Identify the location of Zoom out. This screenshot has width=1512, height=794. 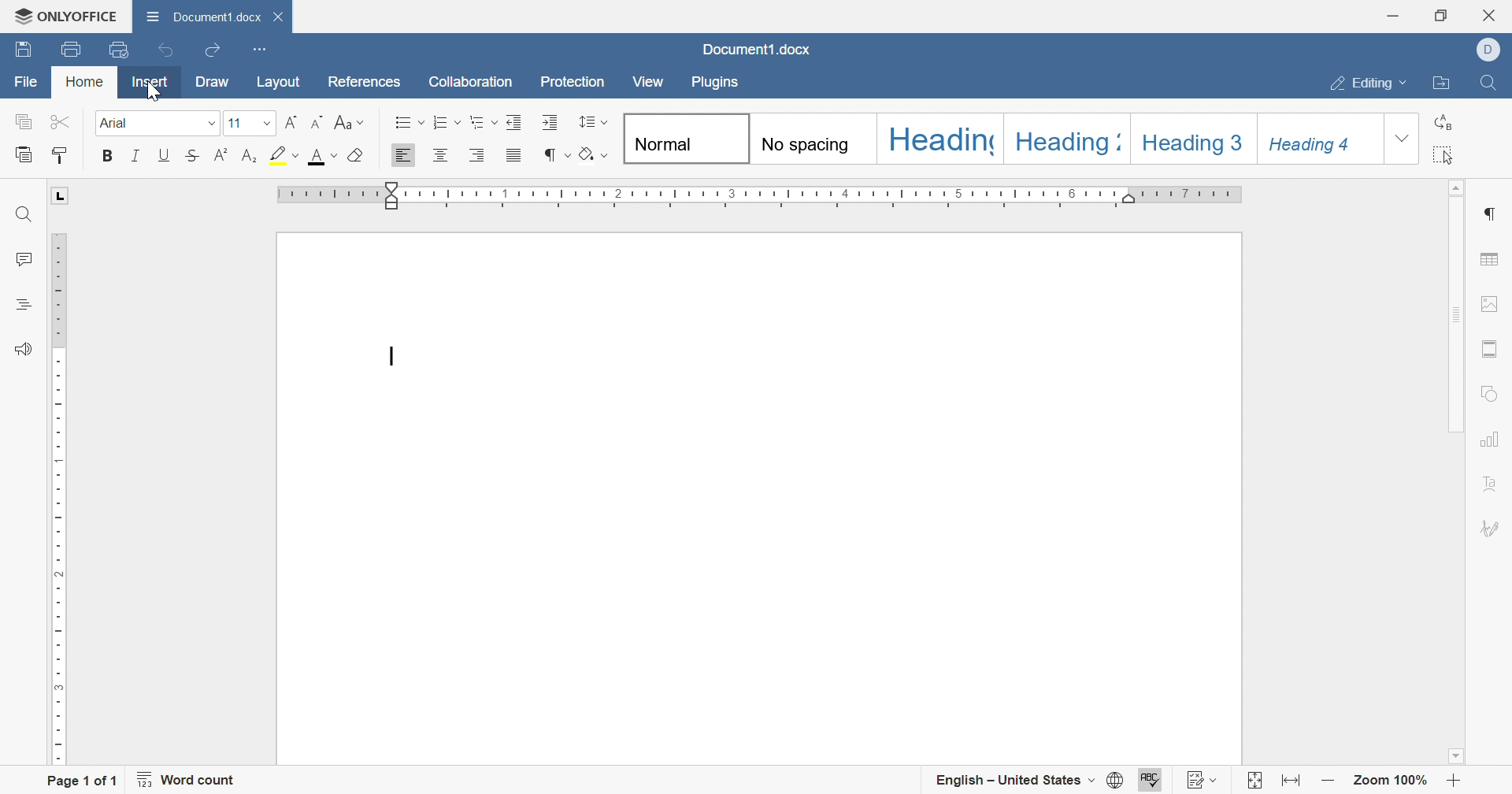
(1329, 781).